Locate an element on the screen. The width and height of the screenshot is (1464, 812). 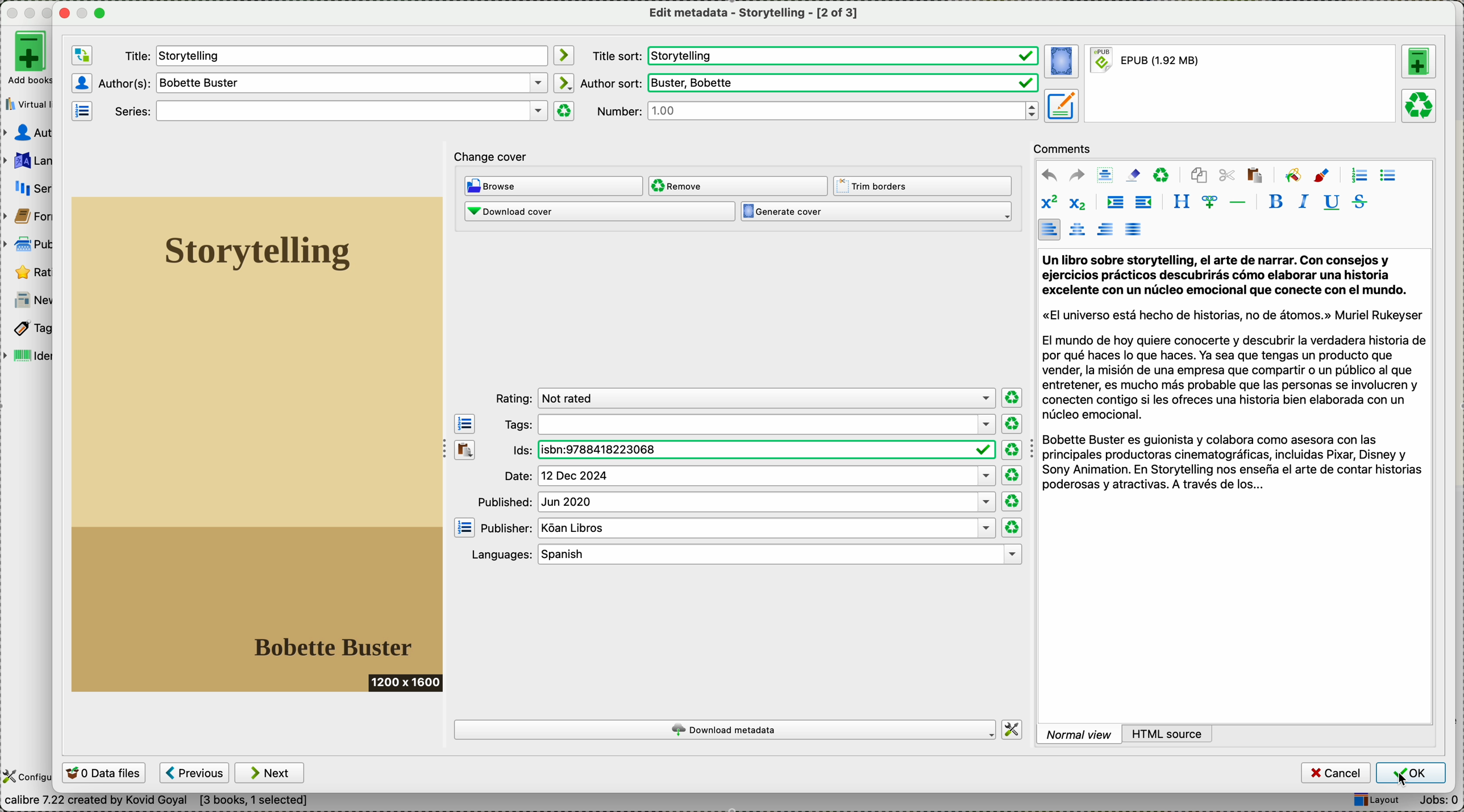
icon is located at coordinates (82, 82).